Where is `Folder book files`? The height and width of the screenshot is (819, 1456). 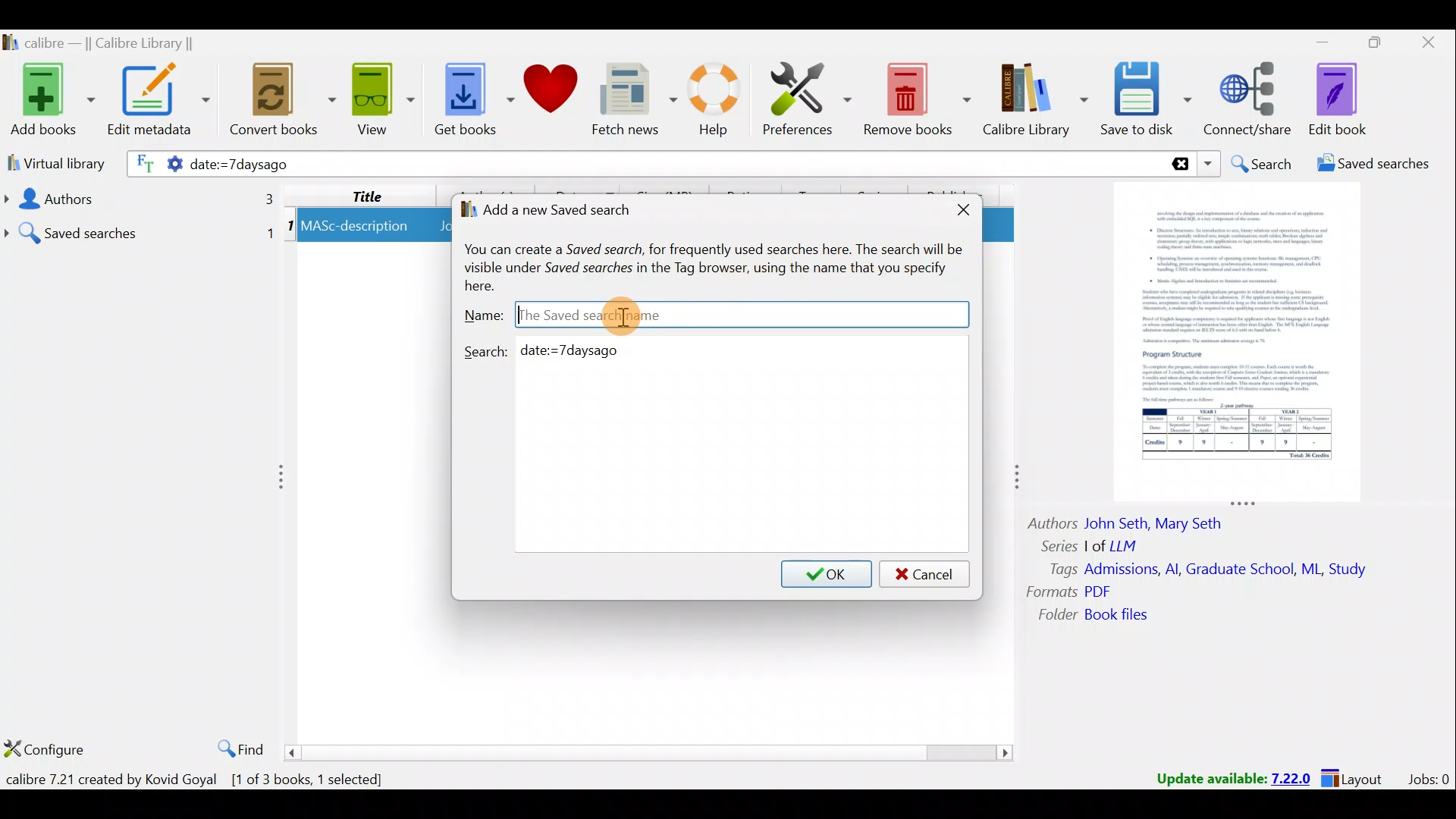
Folder book files is located at coordinates (1105, 616).